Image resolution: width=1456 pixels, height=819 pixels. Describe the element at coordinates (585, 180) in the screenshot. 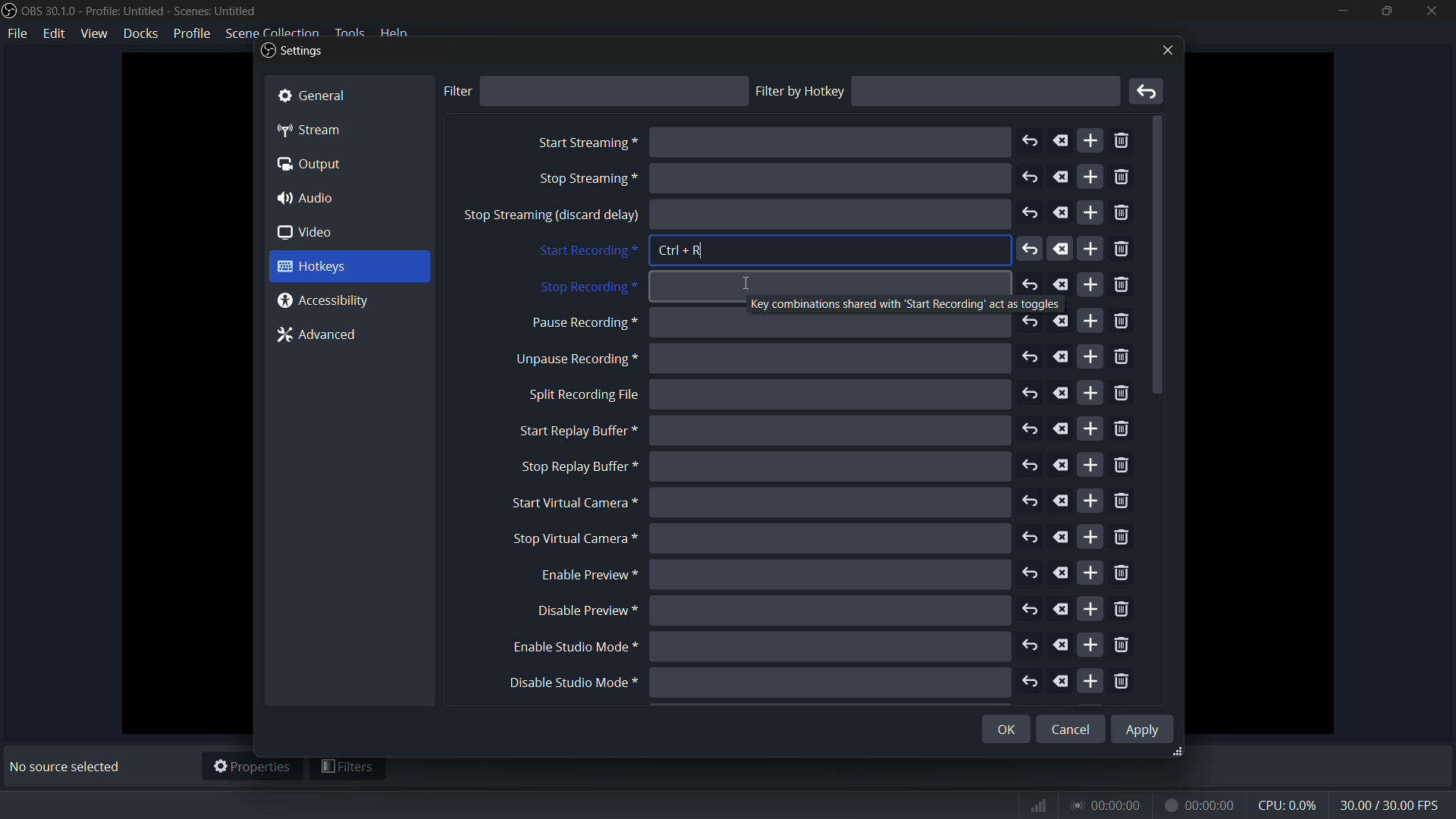

I see `stop screaming` at that location.